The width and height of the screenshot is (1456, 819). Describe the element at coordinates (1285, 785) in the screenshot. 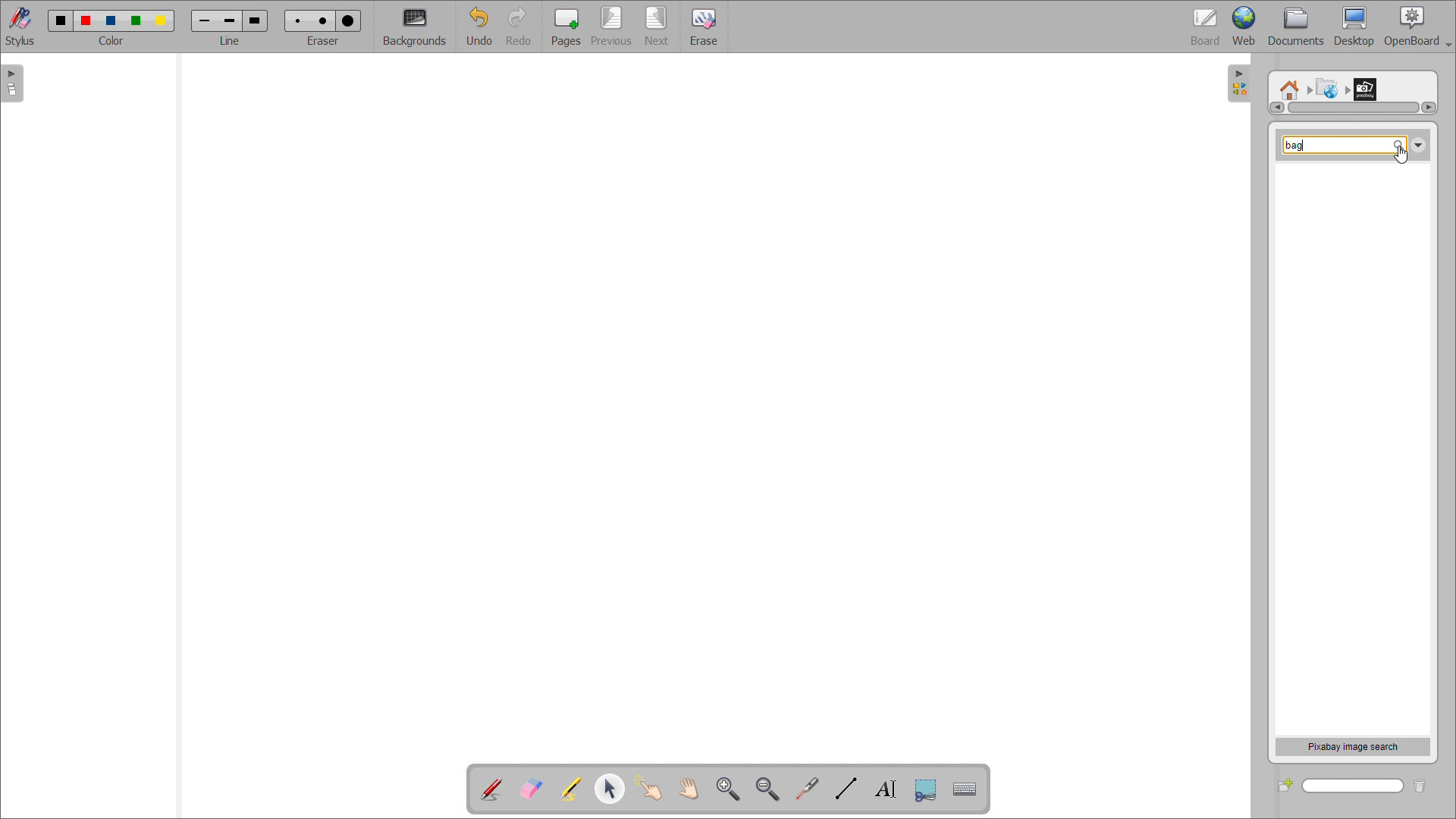

I see `add folder` at that location.